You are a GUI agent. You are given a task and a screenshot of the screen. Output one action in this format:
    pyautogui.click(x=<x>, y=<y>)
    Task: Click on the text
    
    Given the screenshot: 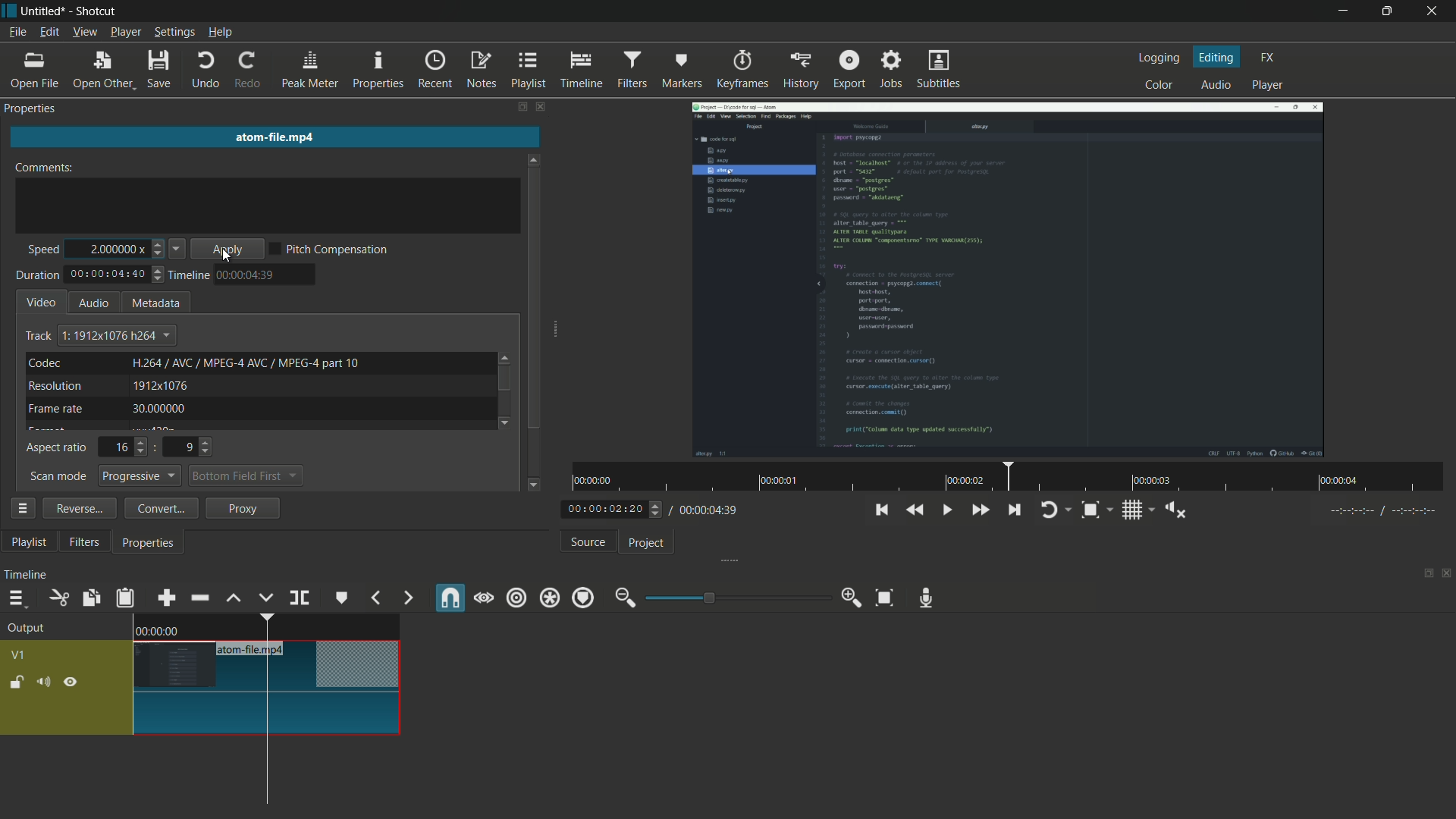 What is the action you would take?
    pyautogui.click(x=246, y=362)
    